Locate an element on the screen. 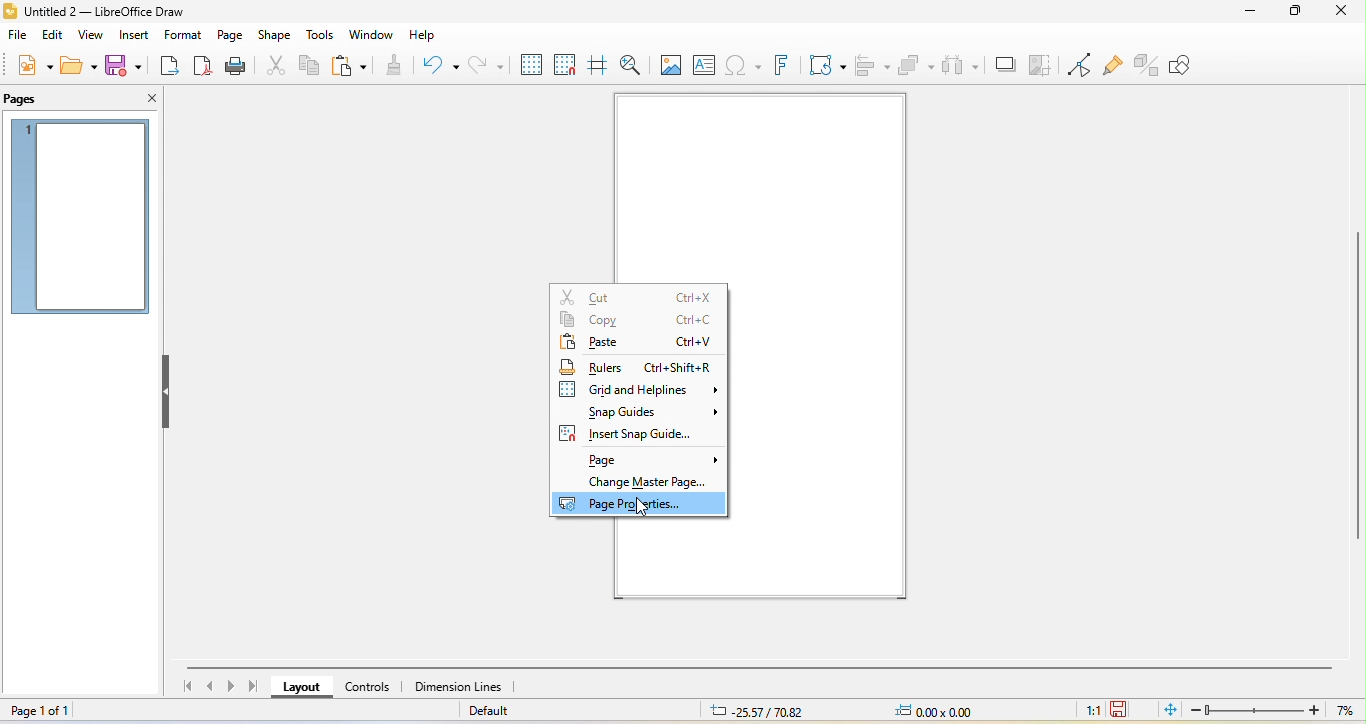 The height and width of the screenshot is (724, 1366). show draw function is located at coordinates (1195, 65).